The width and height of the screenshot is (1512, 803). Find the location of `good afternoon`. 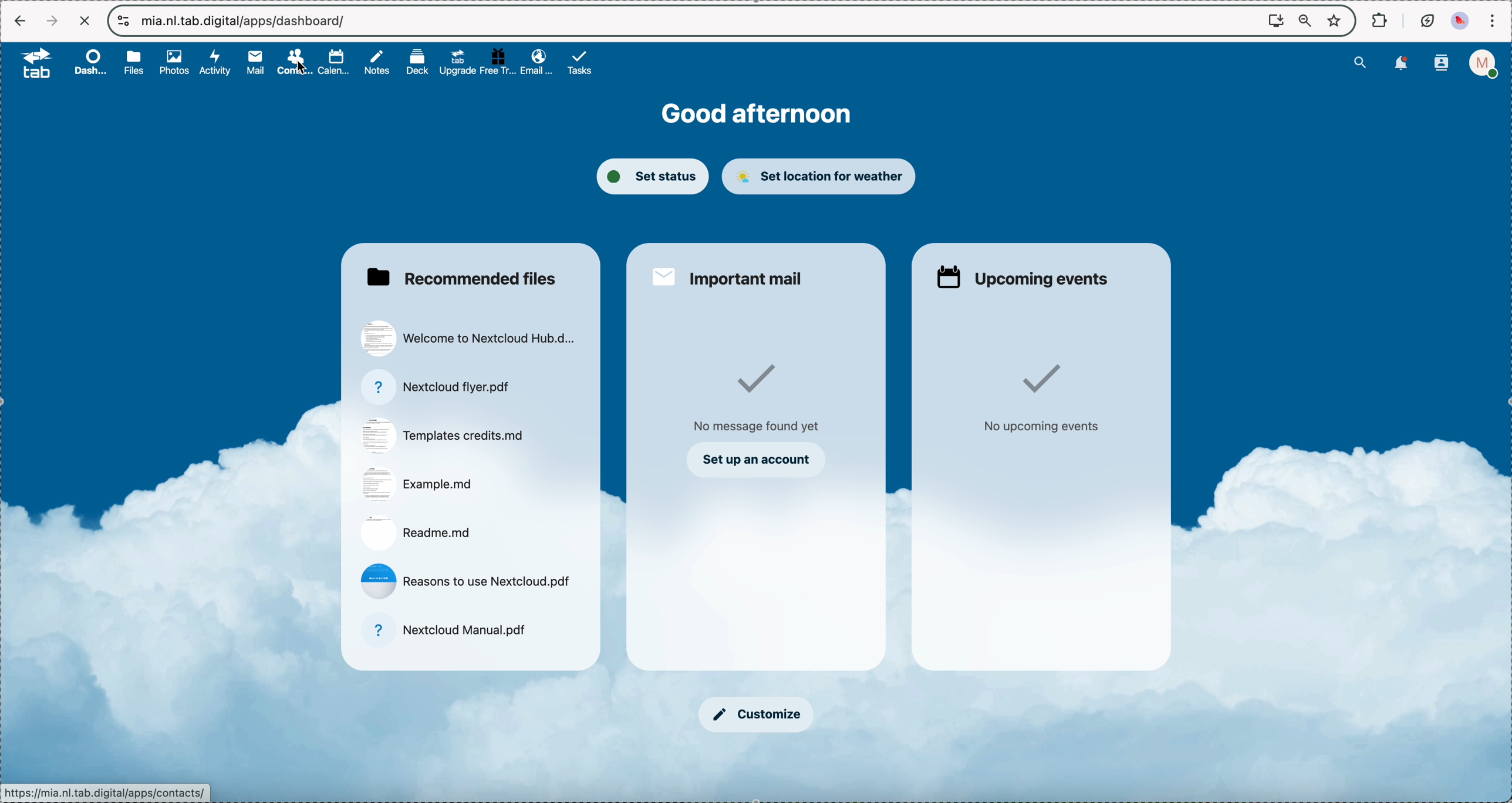

good afternoon is located at coordinates (757, 113).